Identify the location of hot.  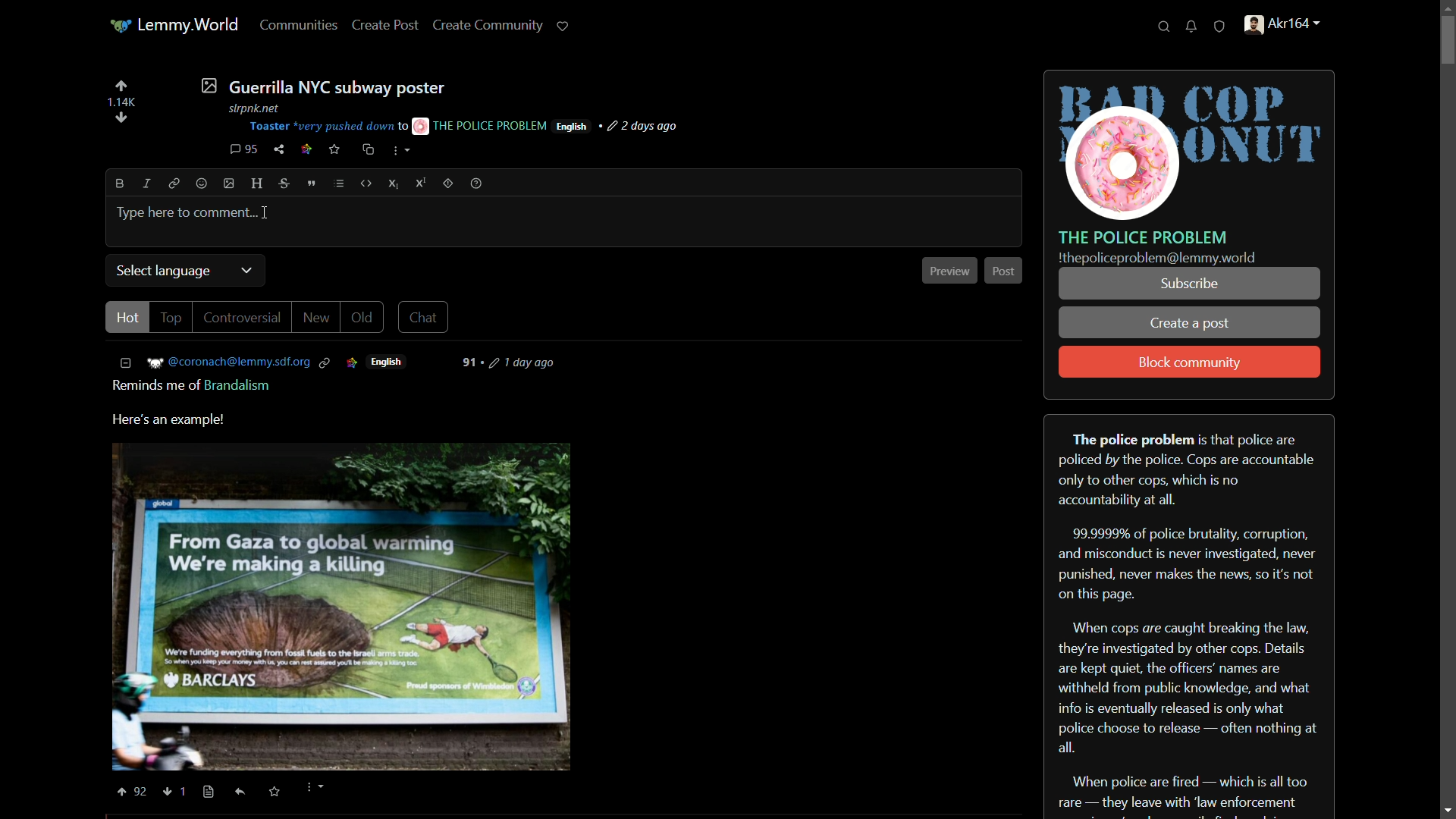
(126, 318).